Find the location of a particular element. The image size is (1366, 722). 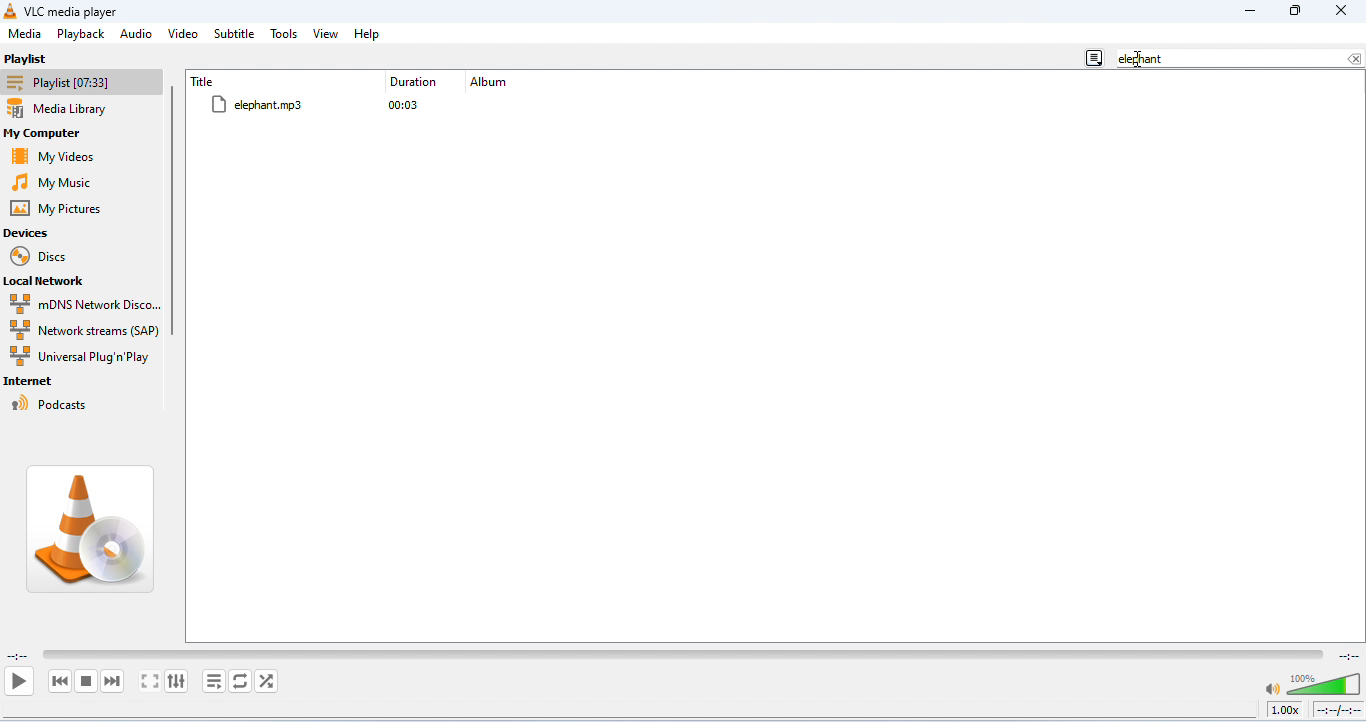

media library is located at coordinates (76, 110).